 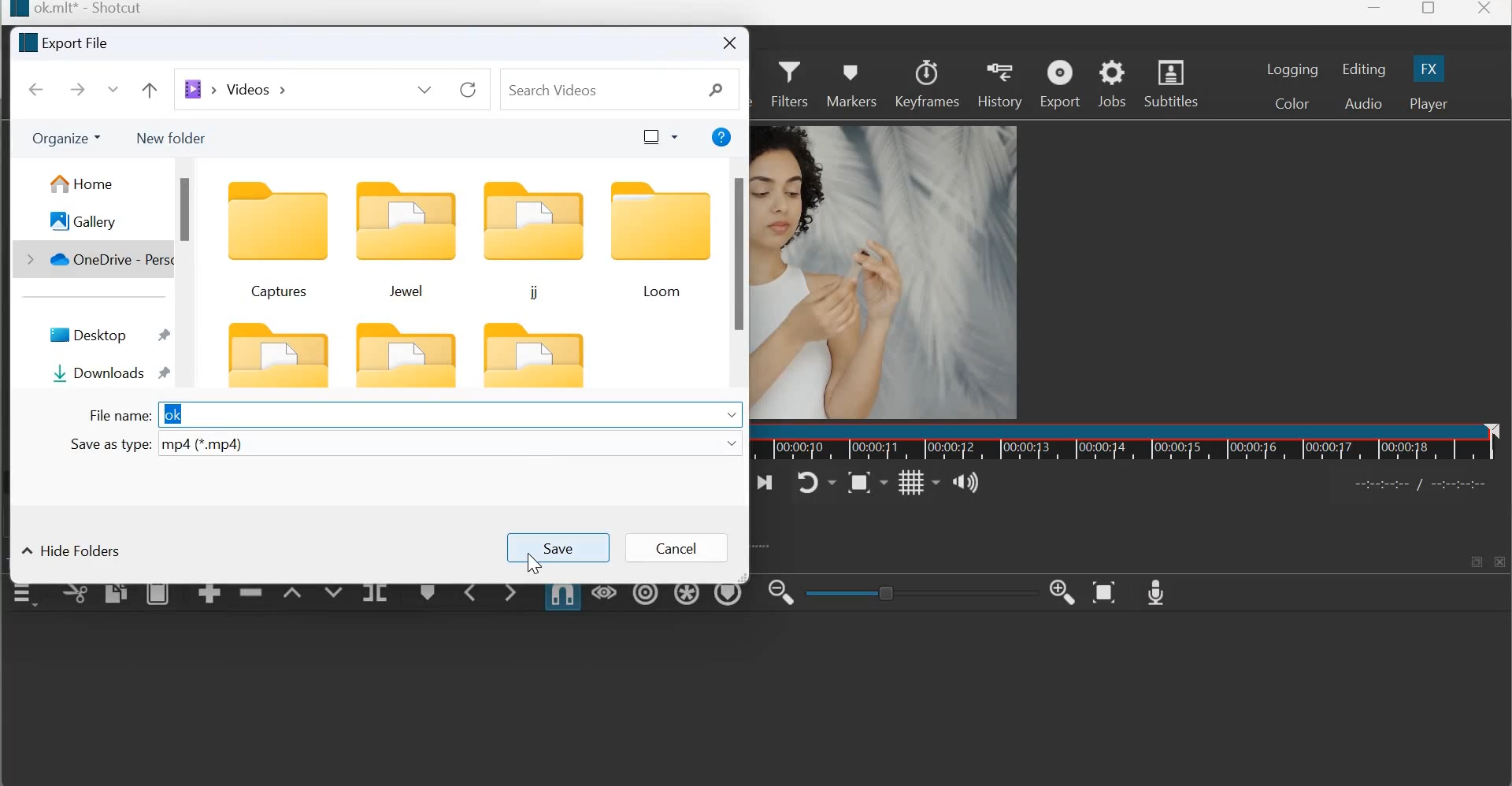 I want to click on expand, so click(x=768, y=545).